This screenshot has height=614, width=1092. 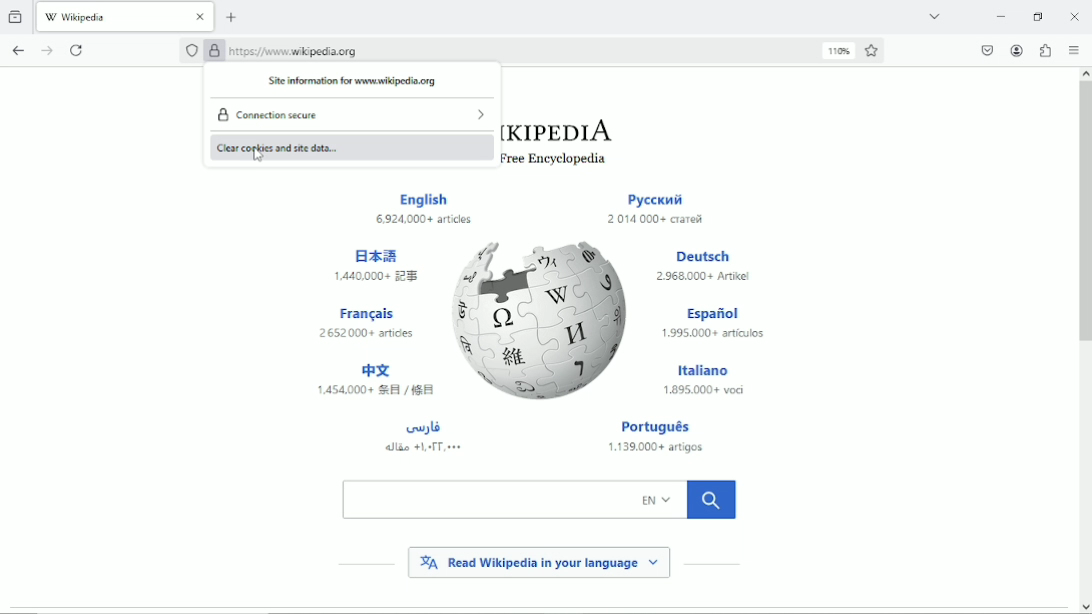 I want to click on link, so click(x=296, y=51).